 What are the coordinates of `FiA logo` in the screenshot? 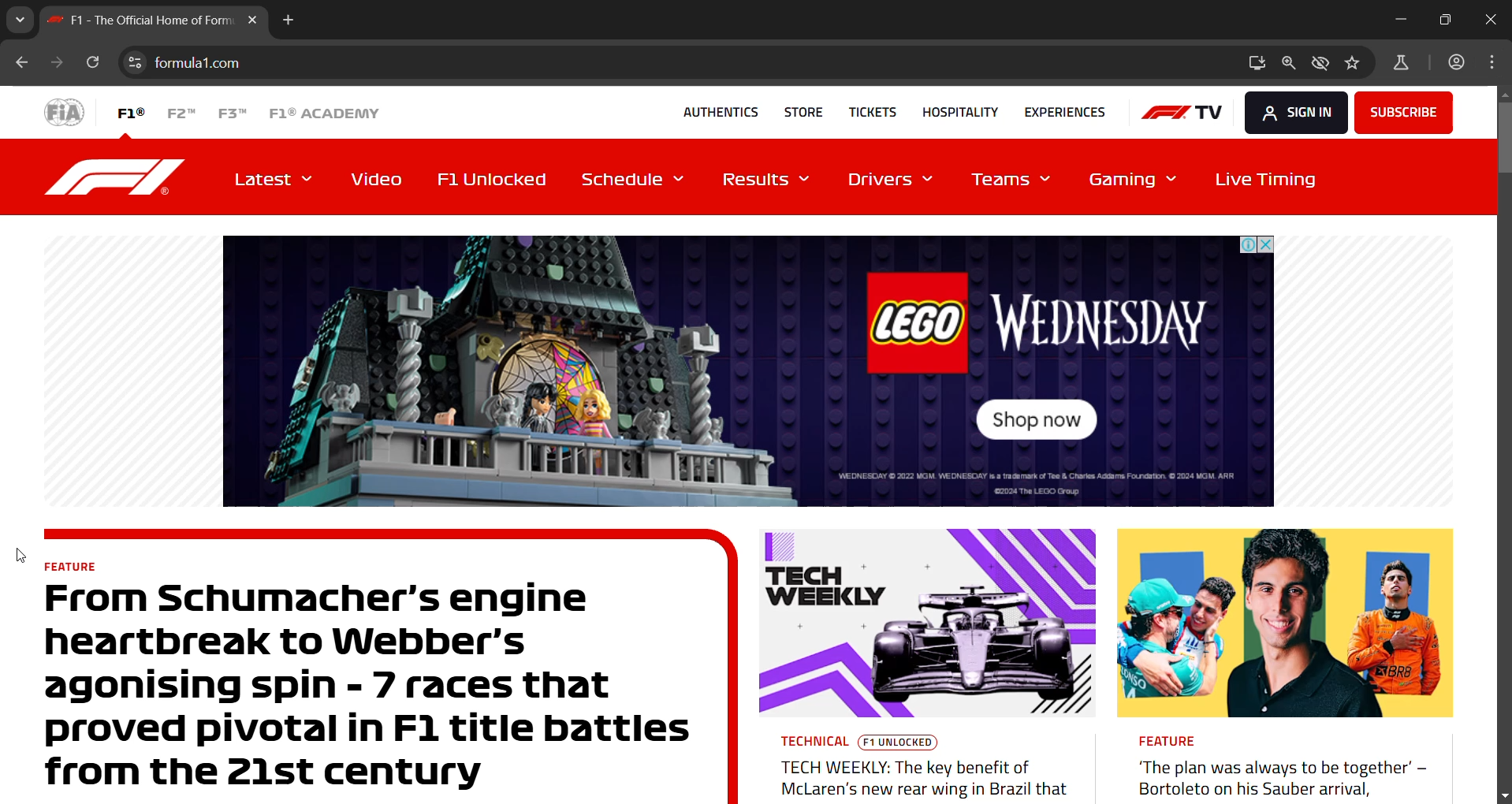 It's located at (65, 111).